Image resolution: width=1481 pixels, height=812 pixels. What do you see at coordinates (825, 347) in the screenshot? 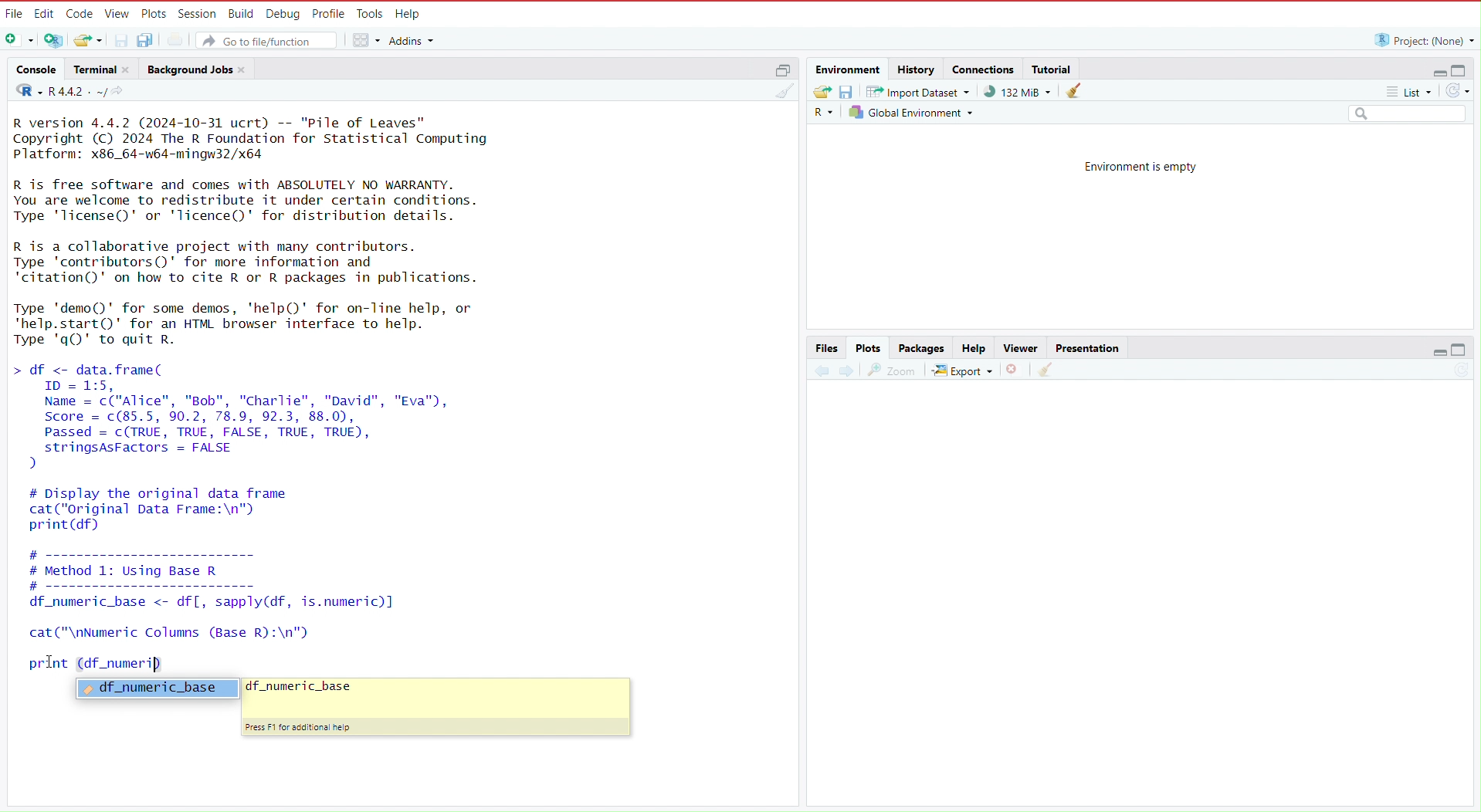
I see `Files` at bounding box center [825, 347].